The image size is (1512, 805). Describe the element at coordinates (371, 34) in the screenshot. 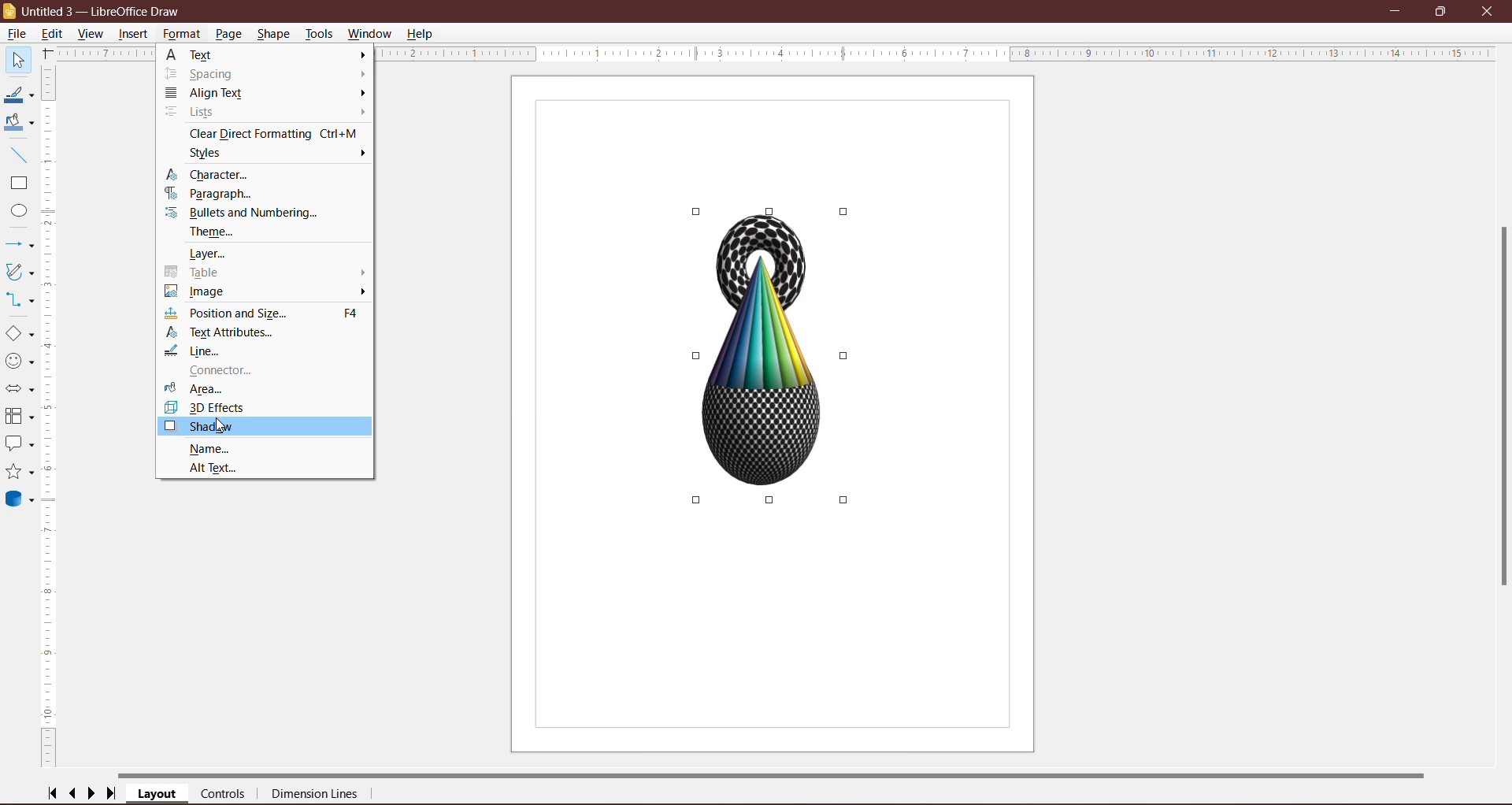

I see `Window` at that location.